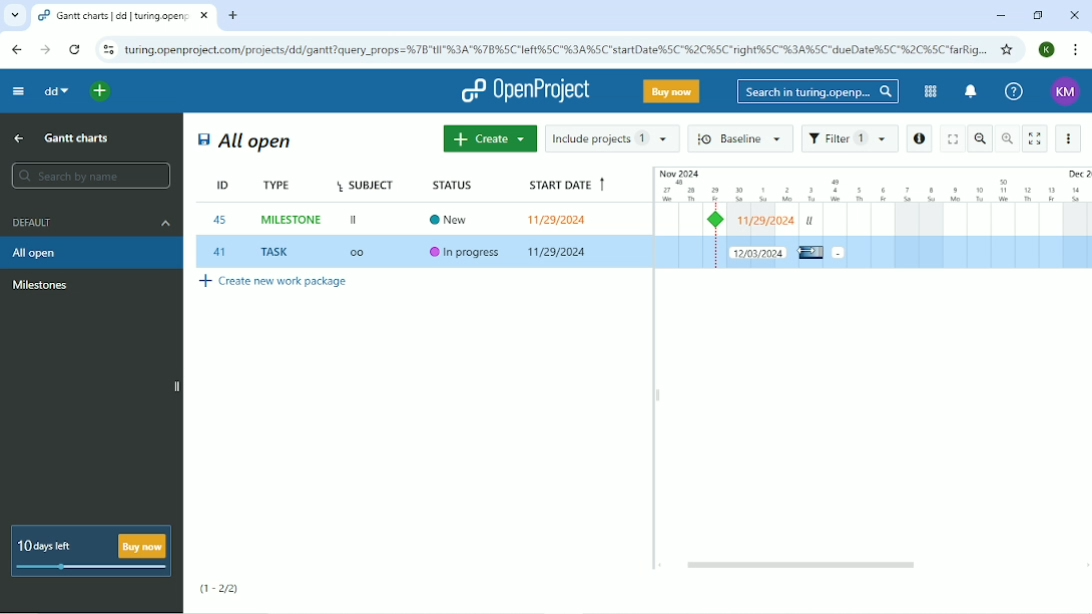  I want to click on 41, so click(220, 252).